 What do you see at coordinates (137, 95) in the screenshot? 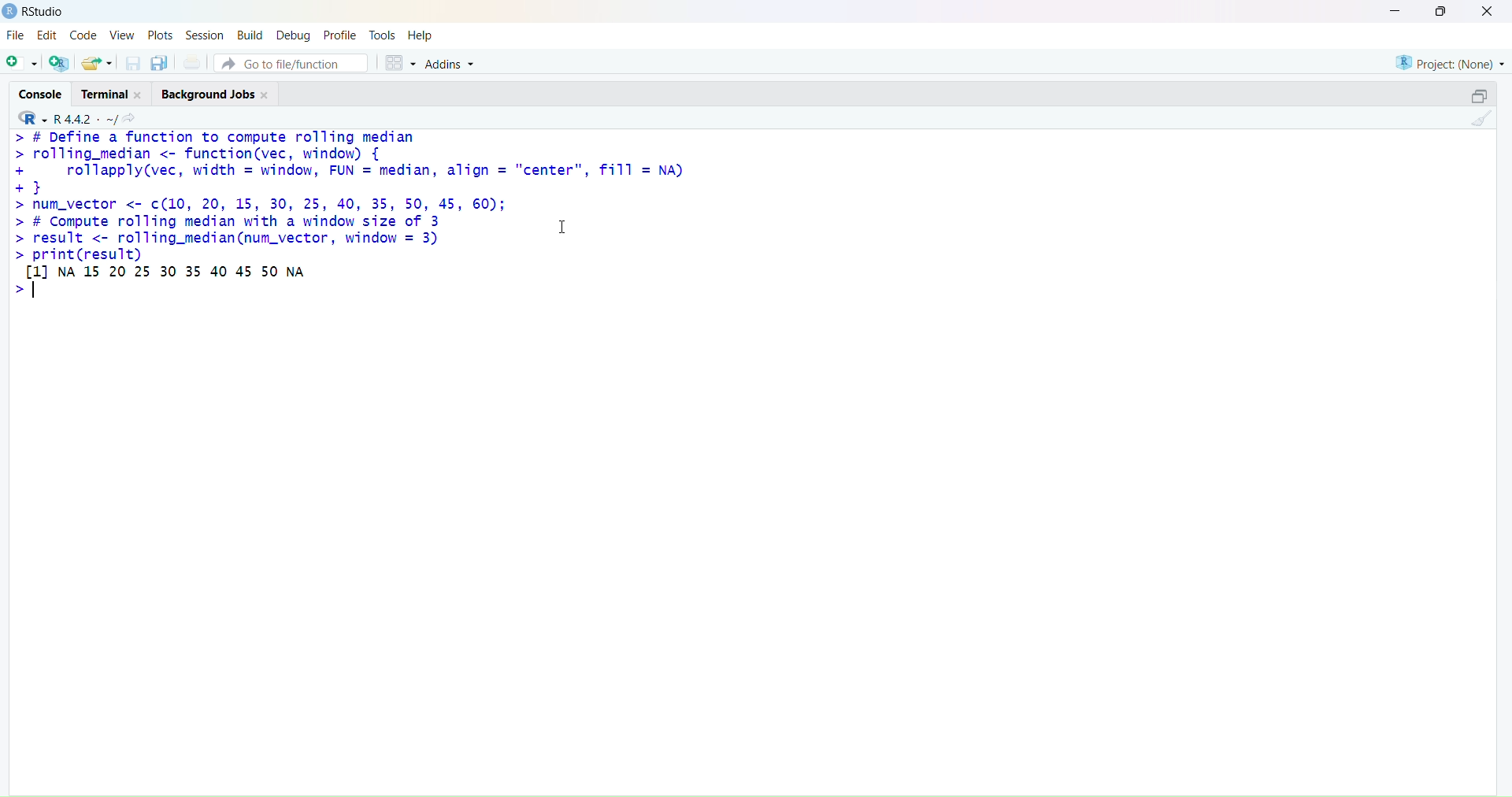
I see `close` at bounding box center [137, 95].